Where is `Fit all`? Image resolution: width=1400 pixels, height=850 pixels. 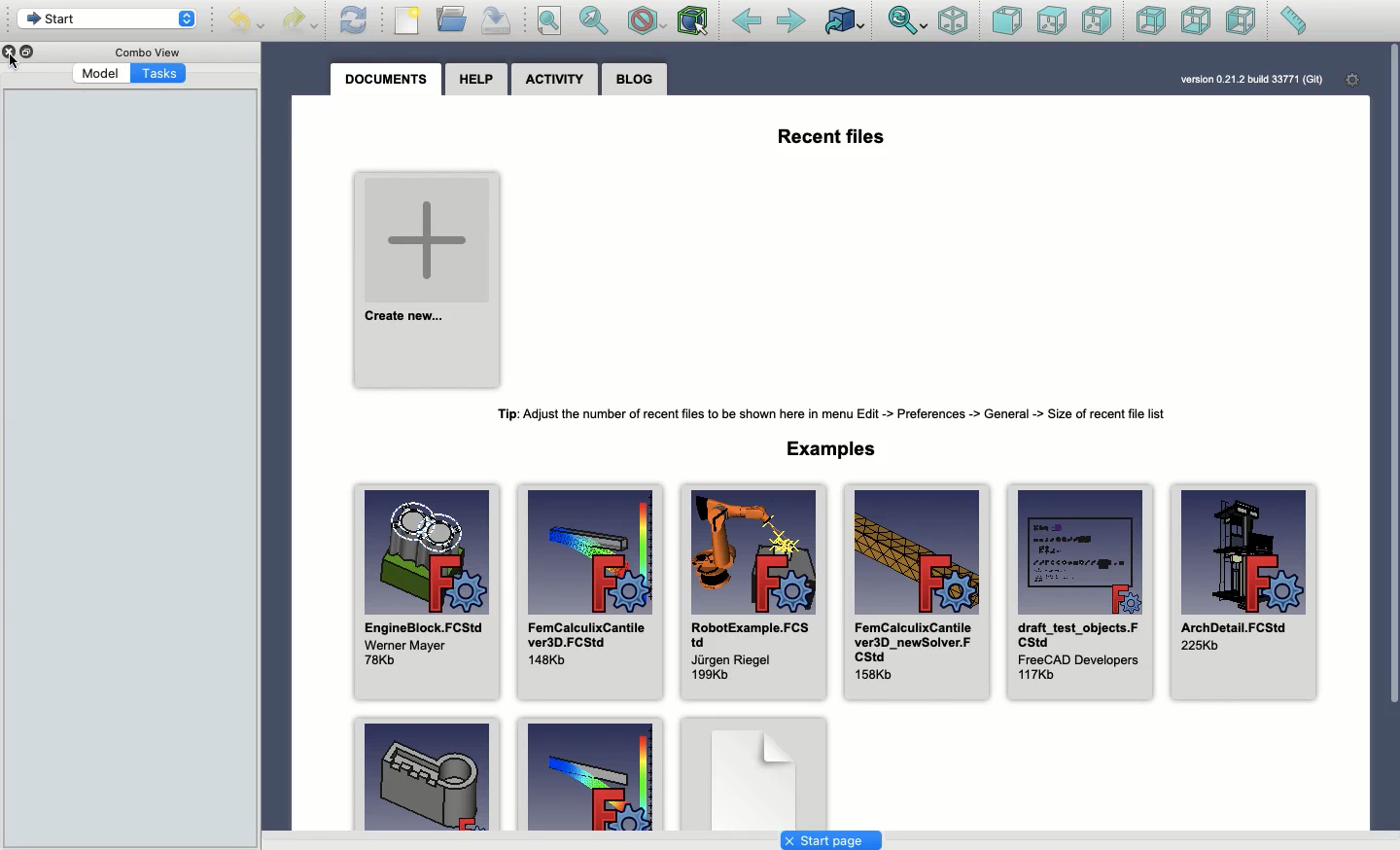
Fit all is located at coordinates (547, 20).